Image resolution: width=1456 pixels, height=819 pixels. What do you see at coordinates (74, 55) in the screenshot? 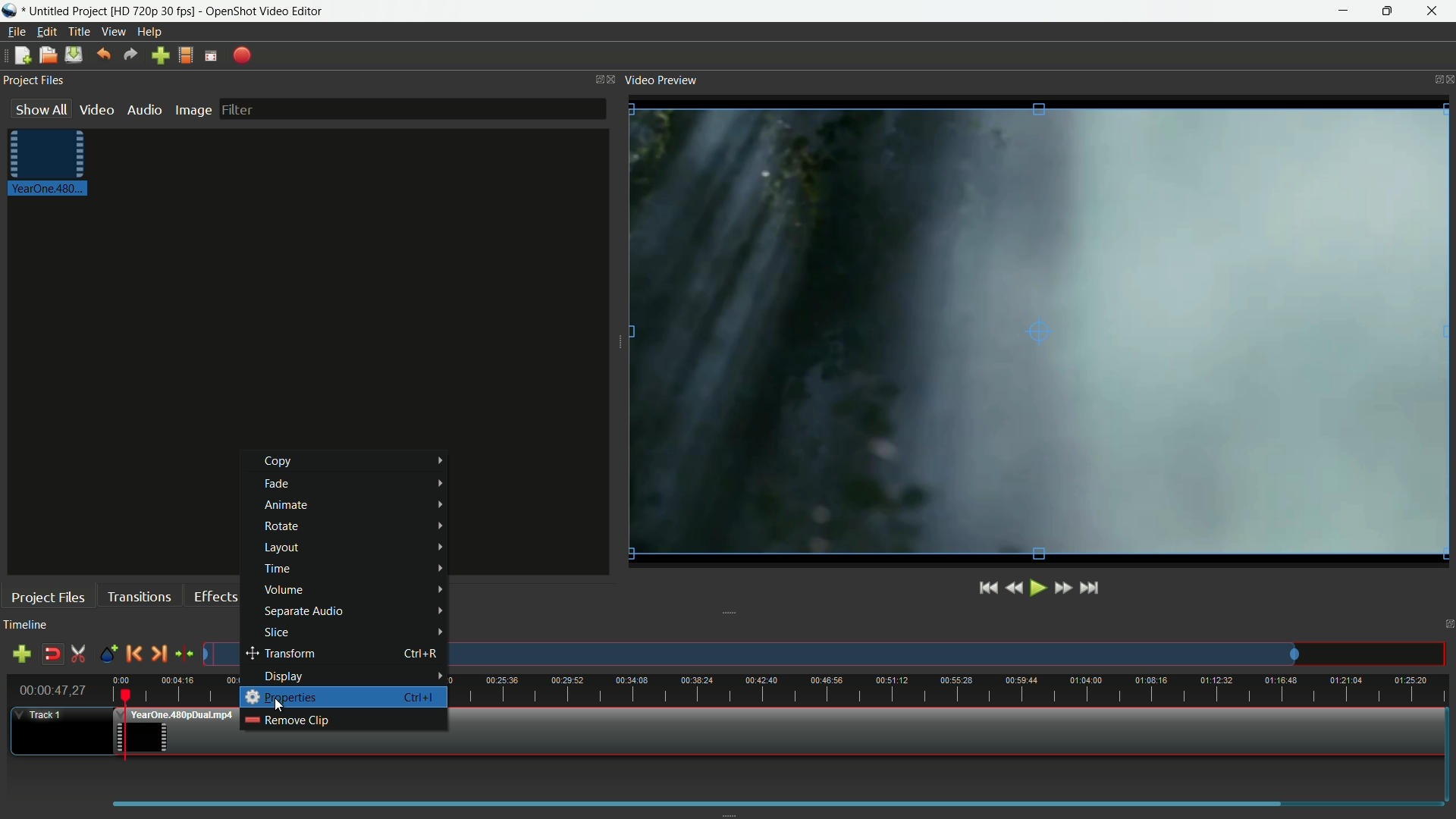
I see `save file` at bounding box center [74, 55].